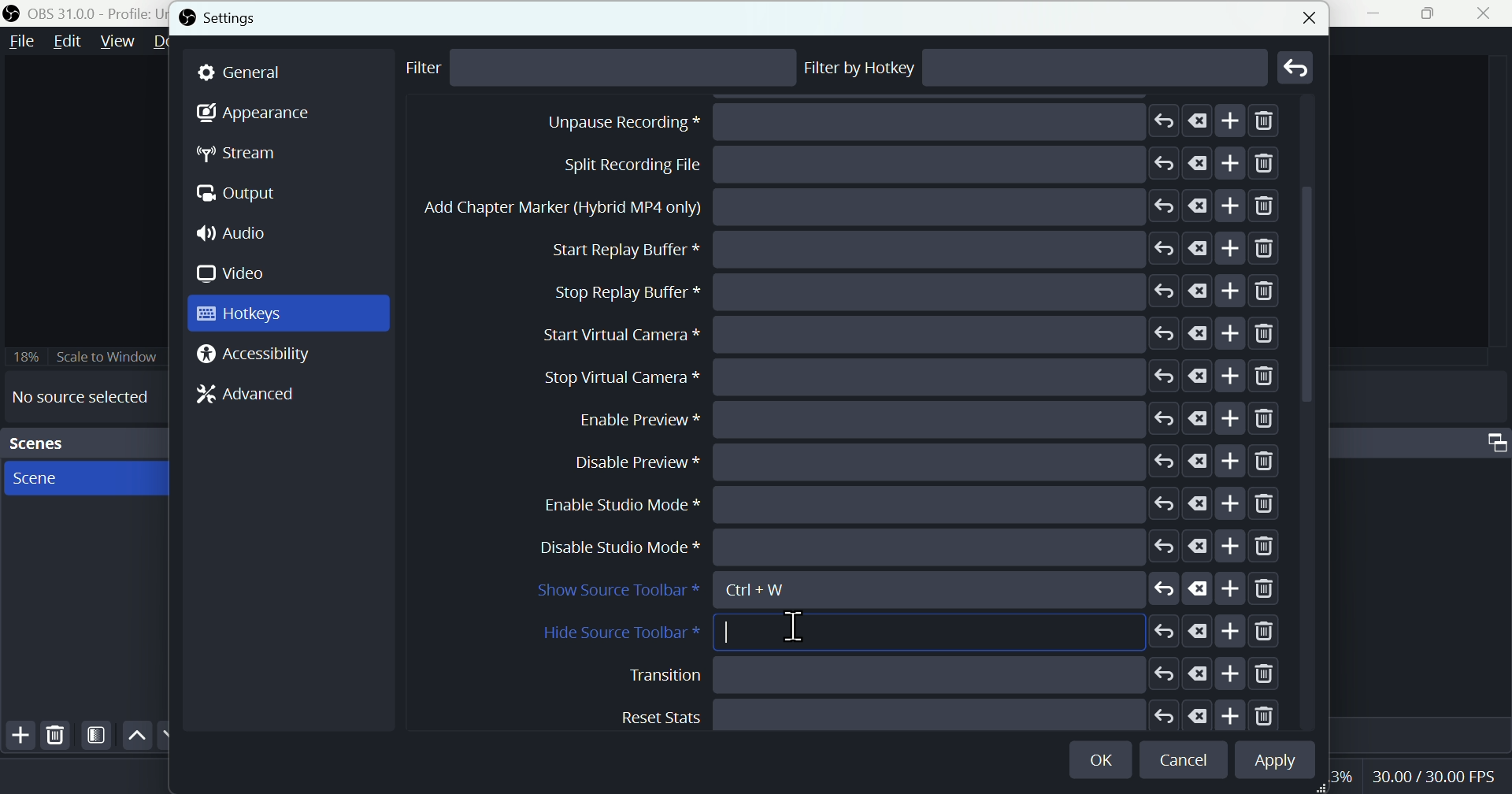 This screenshot has height=794, width=1512. I want to click on close, so click(1306, 15).